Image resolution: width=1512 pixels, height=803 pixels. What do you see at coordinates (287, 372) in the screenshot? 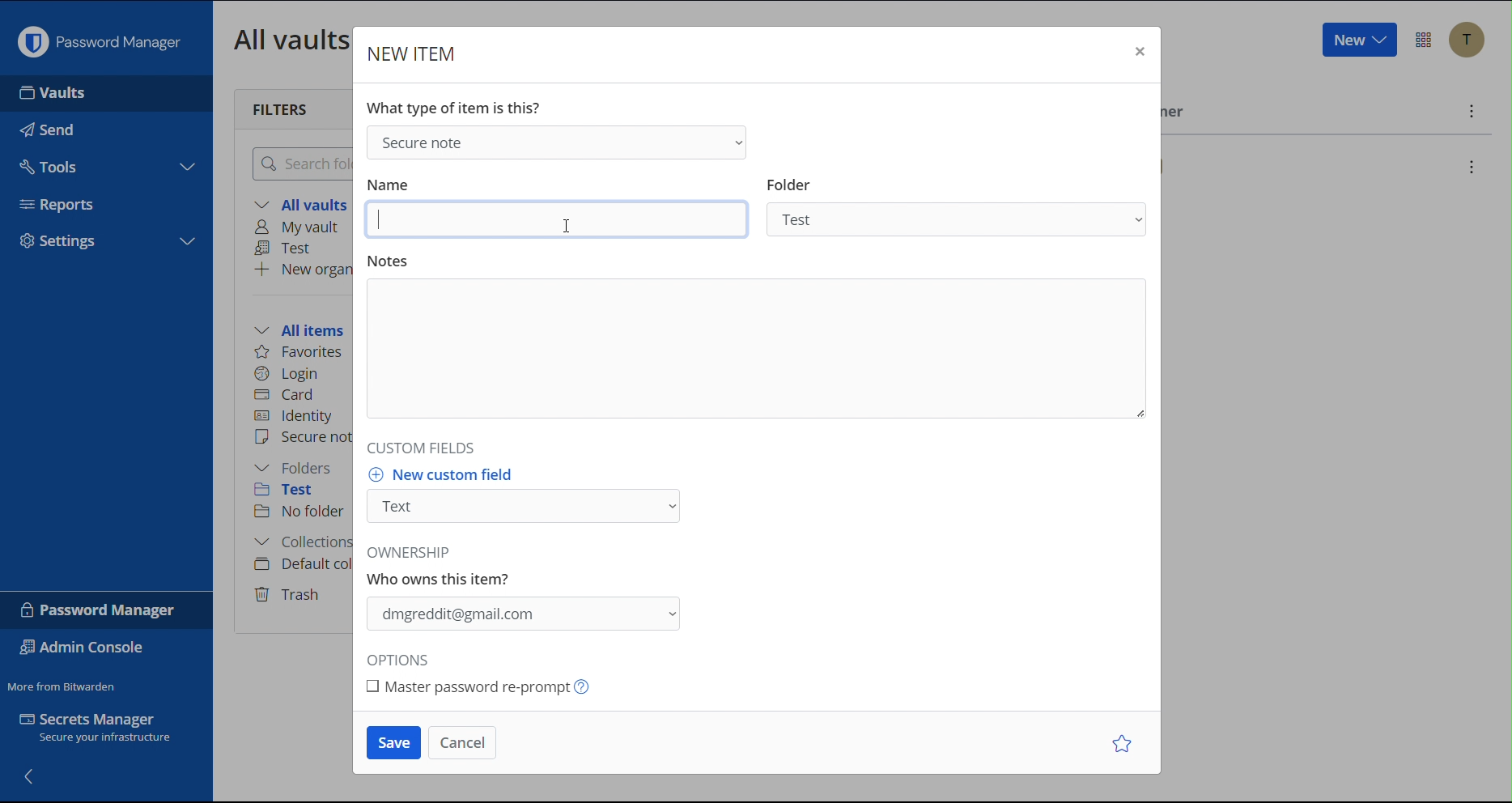
I see `Login` at bounding box center [287, 372].